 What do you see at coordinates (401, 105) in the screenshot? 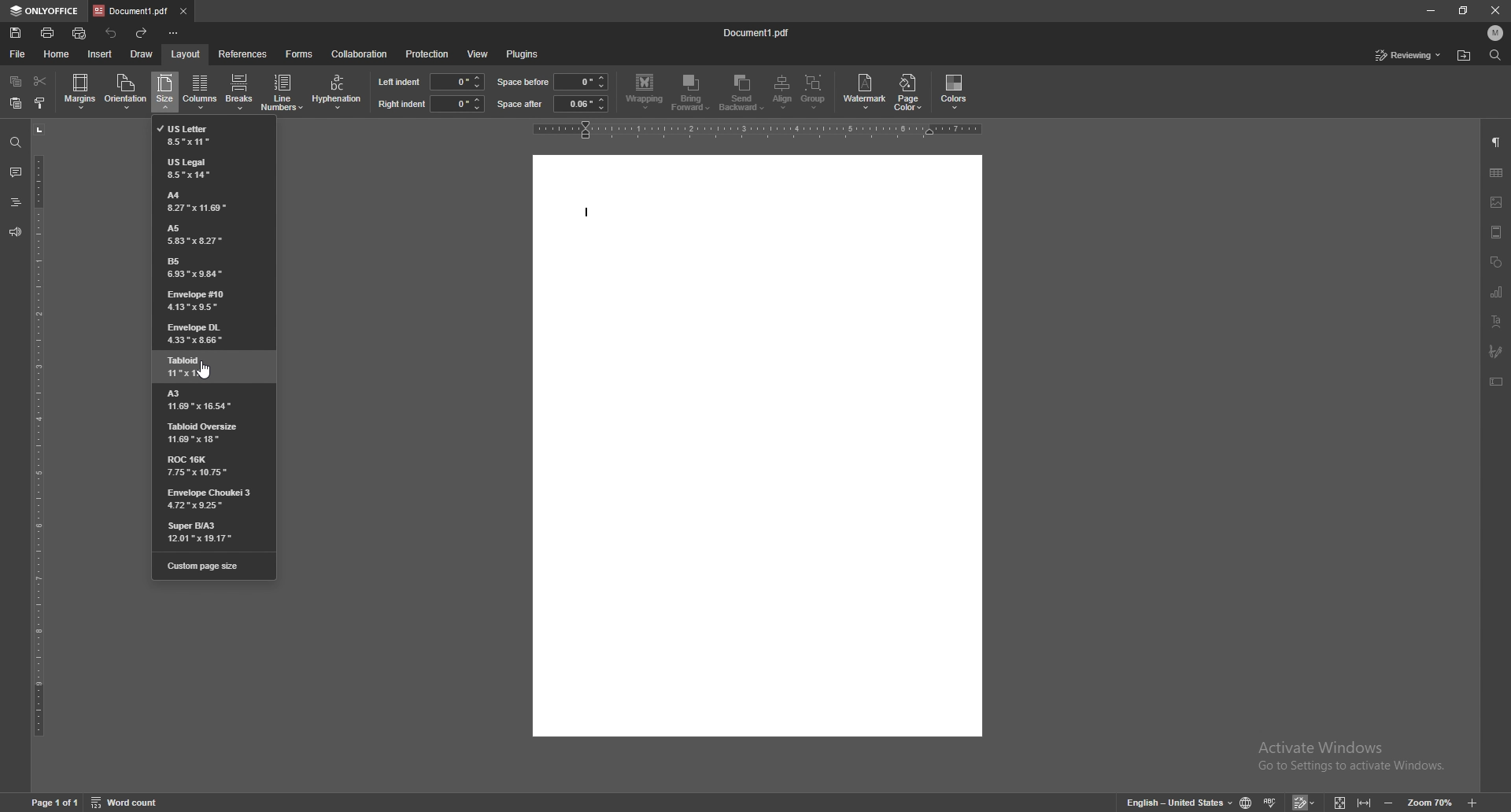
I see `right indent` at bounding box center [401, 105].